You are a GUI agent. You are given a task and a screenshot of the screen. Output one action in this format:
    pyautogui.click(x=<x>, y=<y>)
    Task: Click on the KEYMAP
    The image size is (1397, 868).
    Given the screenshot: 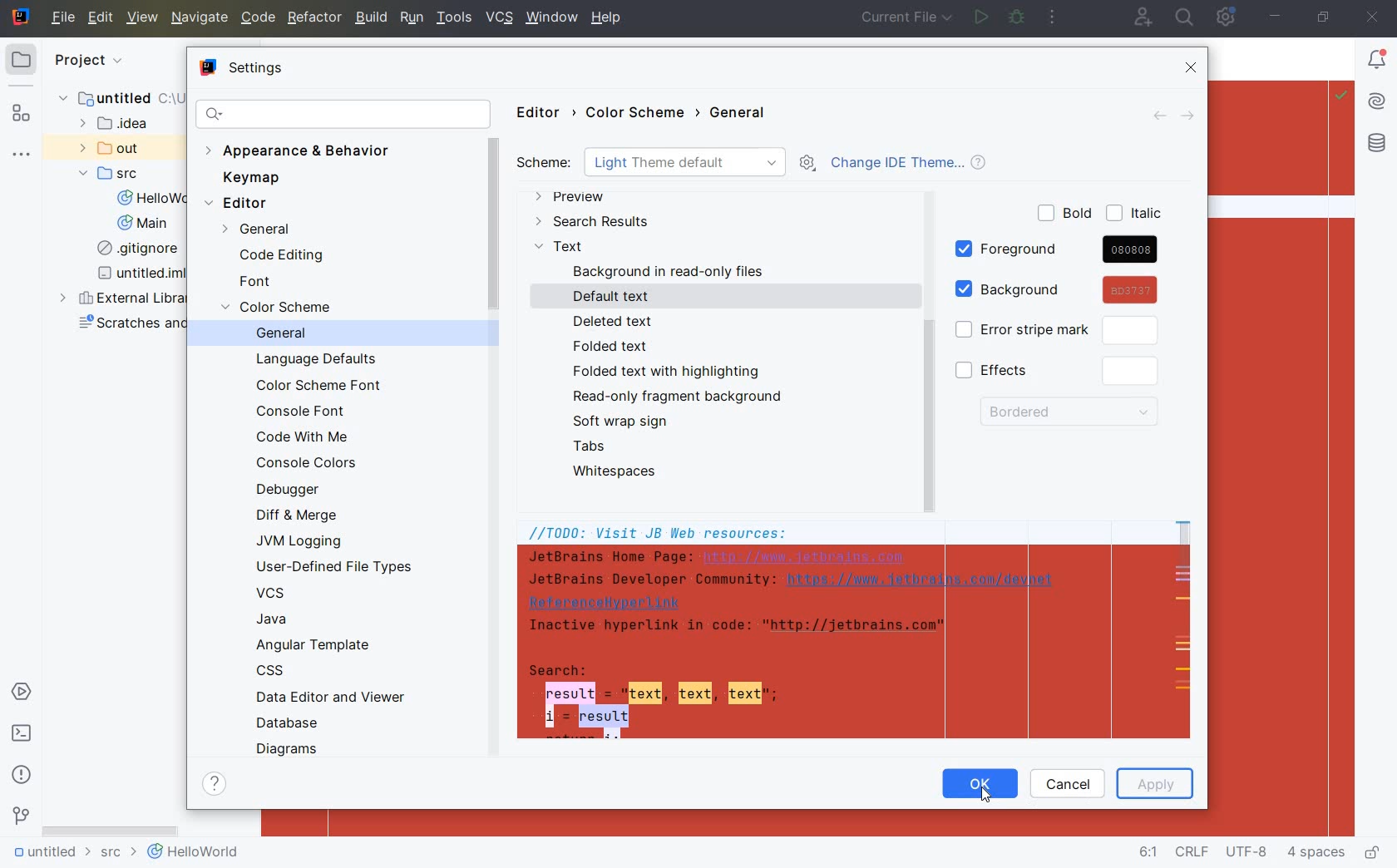 What is the action you would take?
    pyautogui.click(x=255, y=178)
    